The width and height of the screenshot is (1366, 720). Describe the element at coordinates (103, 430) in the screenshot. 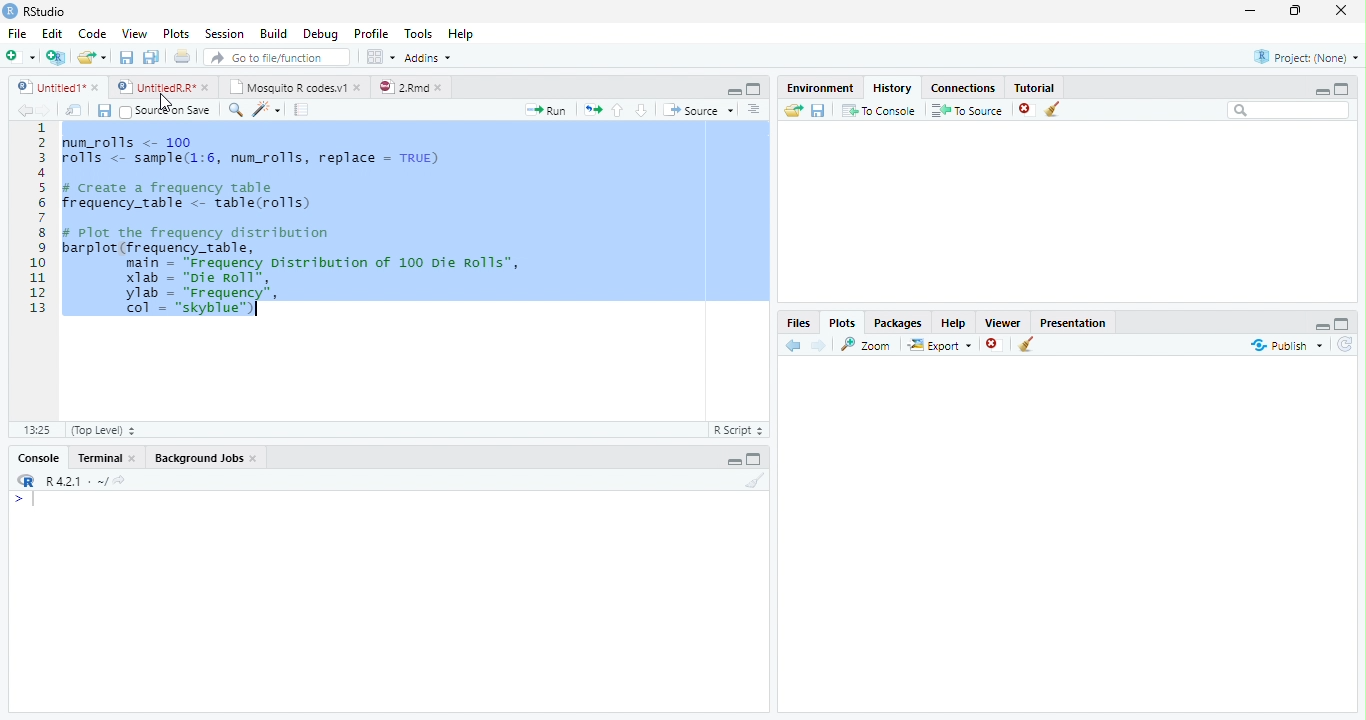

I see `(Top Level)` at that location.